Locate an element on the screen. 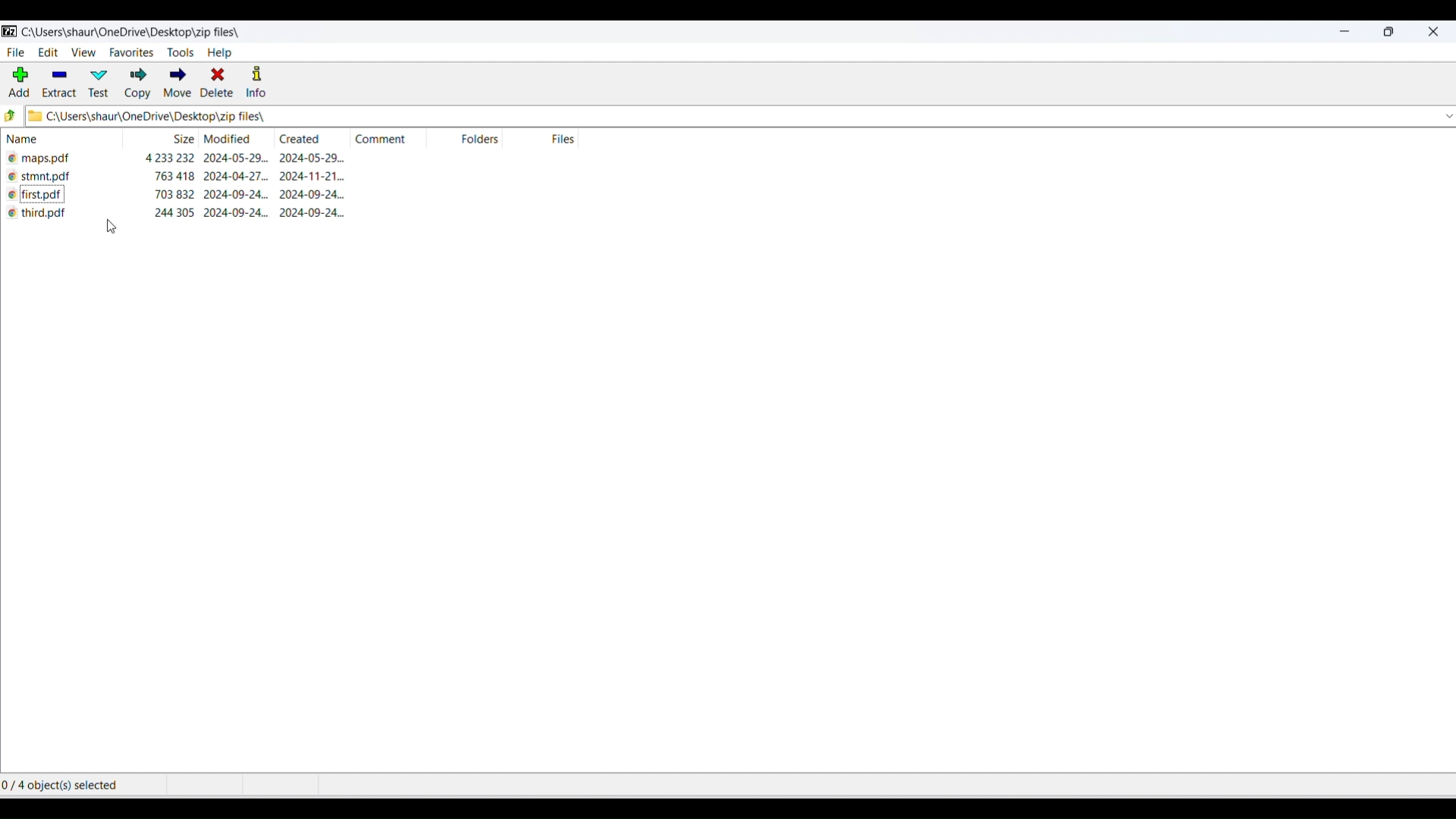 The height and width of the screenshot is (819, 1456). edit is located at coordinates (47, 52).